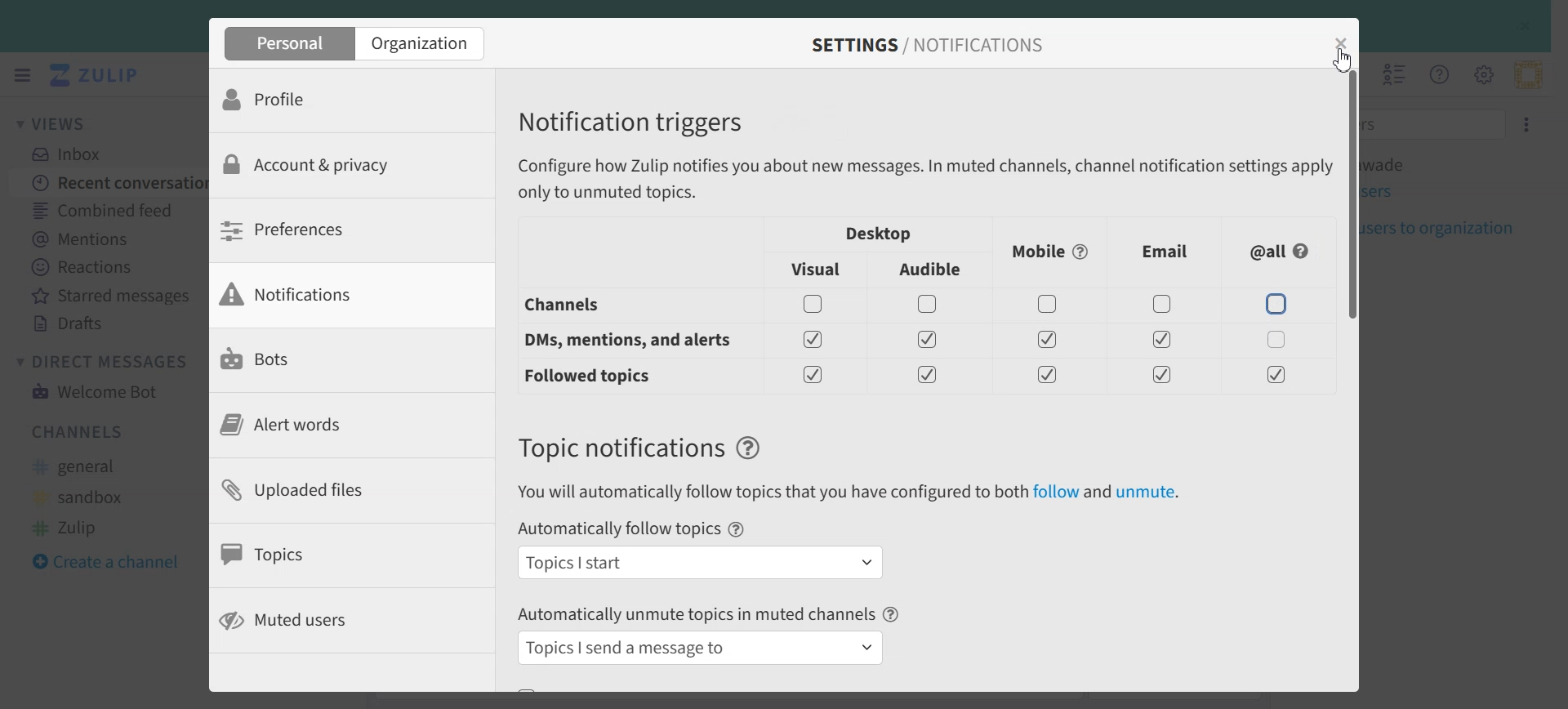 The width and height of the screenshot is (1568, 709). I want to click on SETTINGS / NOTIFICATIONS, so click(925, 45).